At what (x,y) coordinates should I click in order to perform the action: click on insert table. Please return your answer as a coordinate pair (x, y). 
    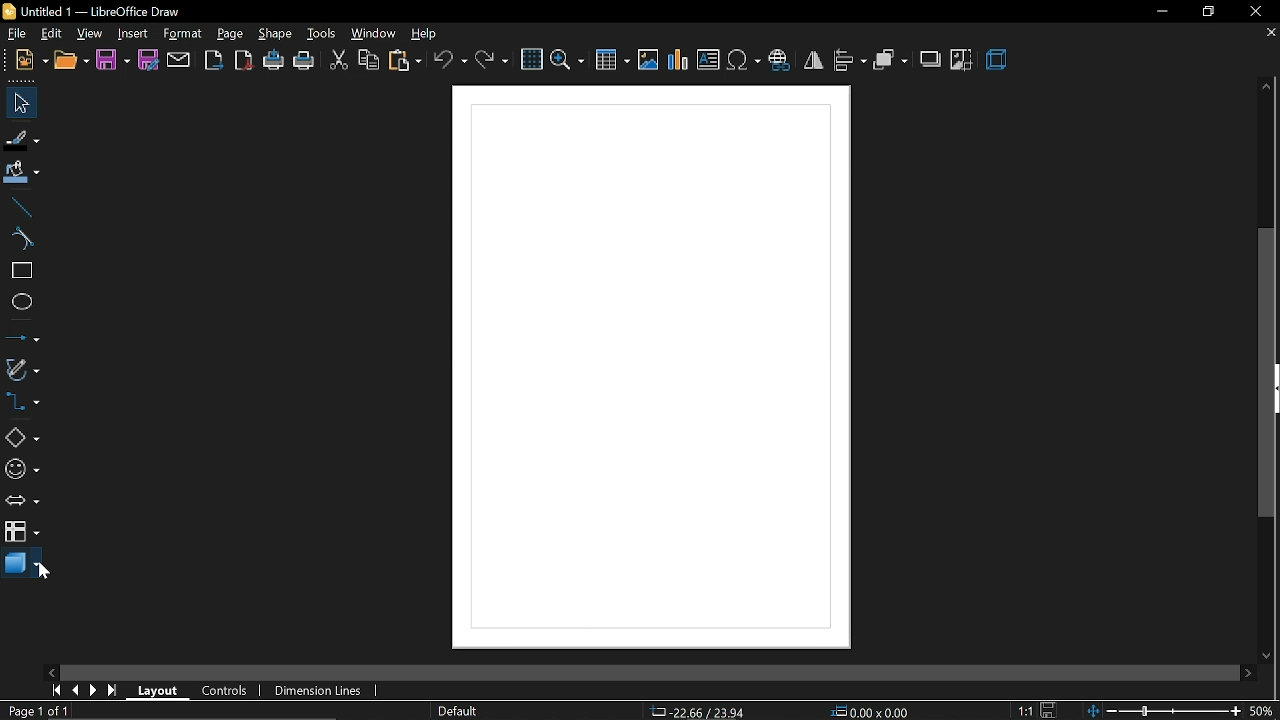
    Looking at the image, I should click on (612, 61).